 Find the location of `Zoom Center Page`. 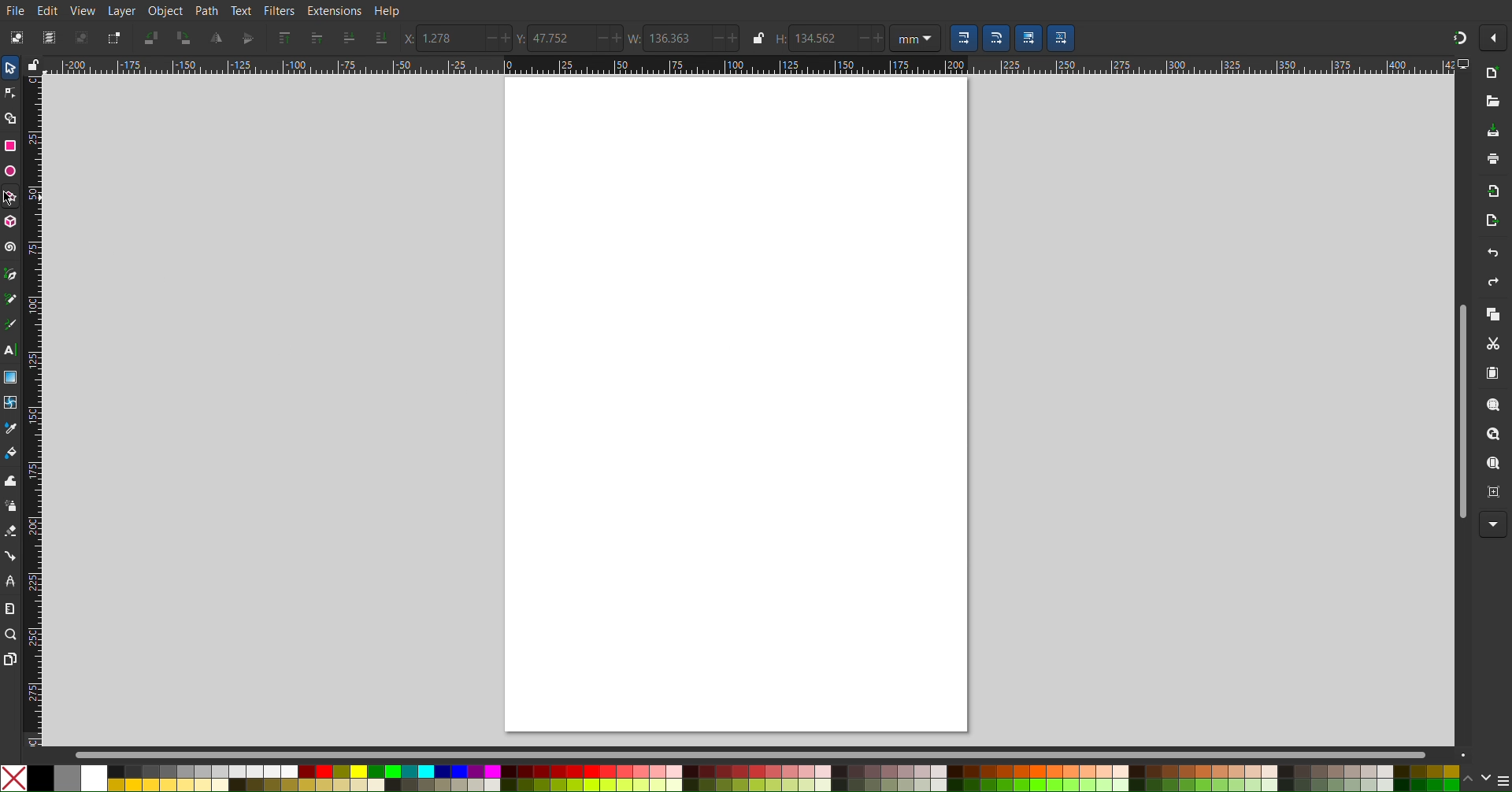

Zoom Center Page is located at coordinates (1495, 495).